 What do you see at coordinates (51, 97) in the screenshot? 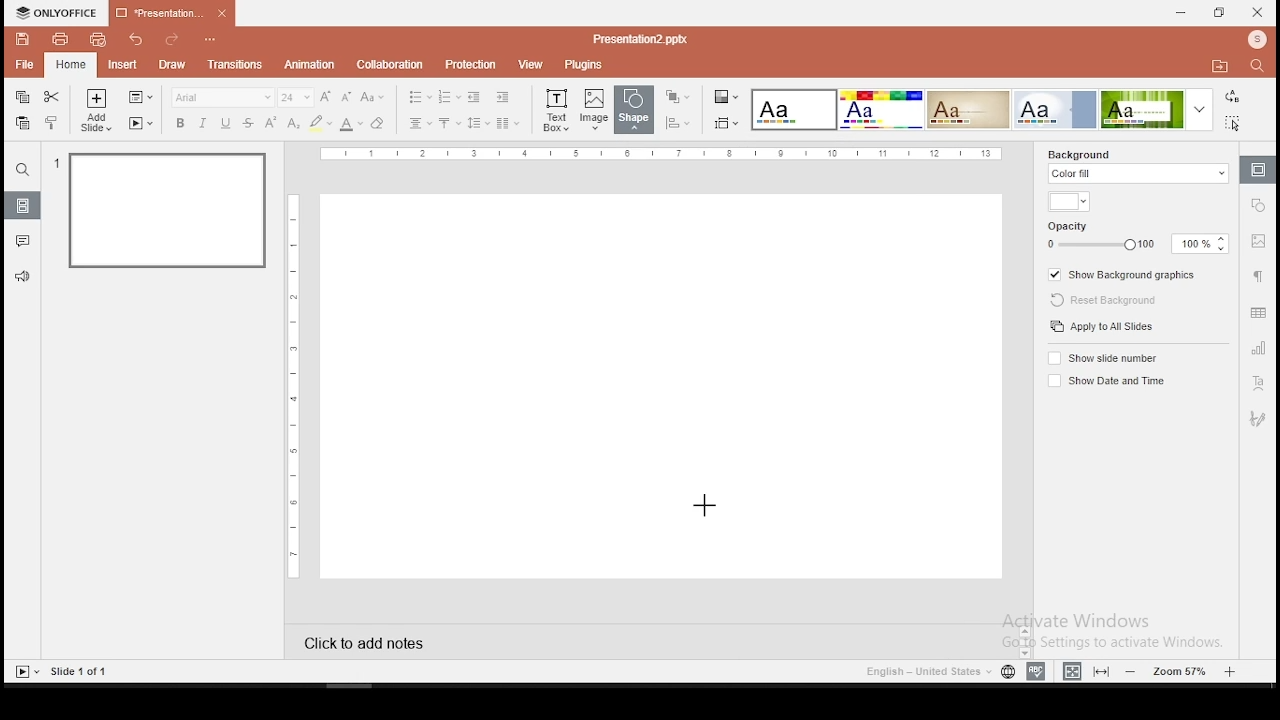
I see `cut` at bounding box center [51, 97].